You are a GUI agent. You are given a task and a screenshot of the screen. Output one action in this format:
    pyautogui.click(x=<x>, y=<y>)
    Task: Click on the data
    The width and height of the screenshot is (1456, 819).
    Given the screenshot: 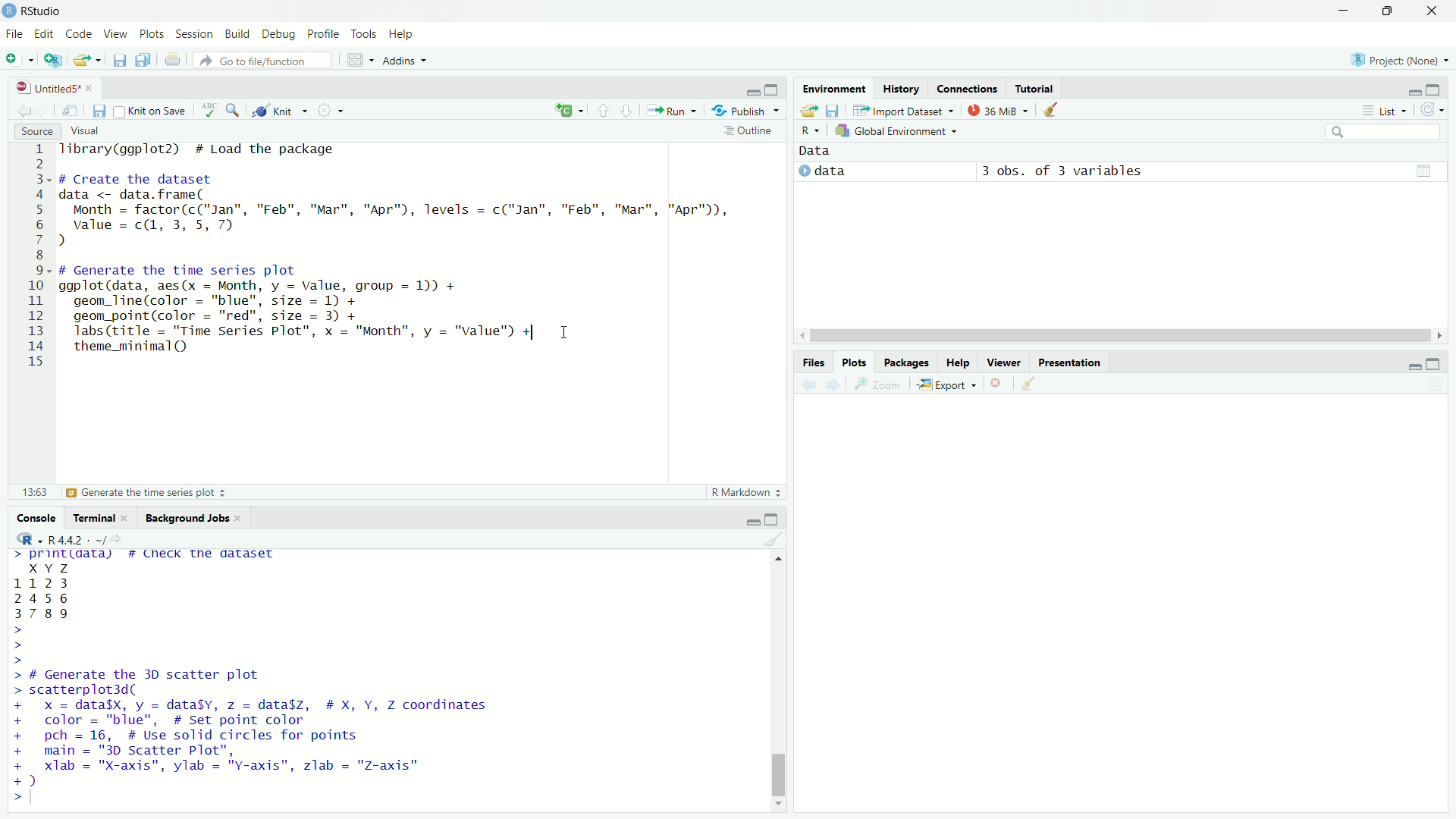 What is the action you would take?
    pyautogui.click(x=821, y=152)
    